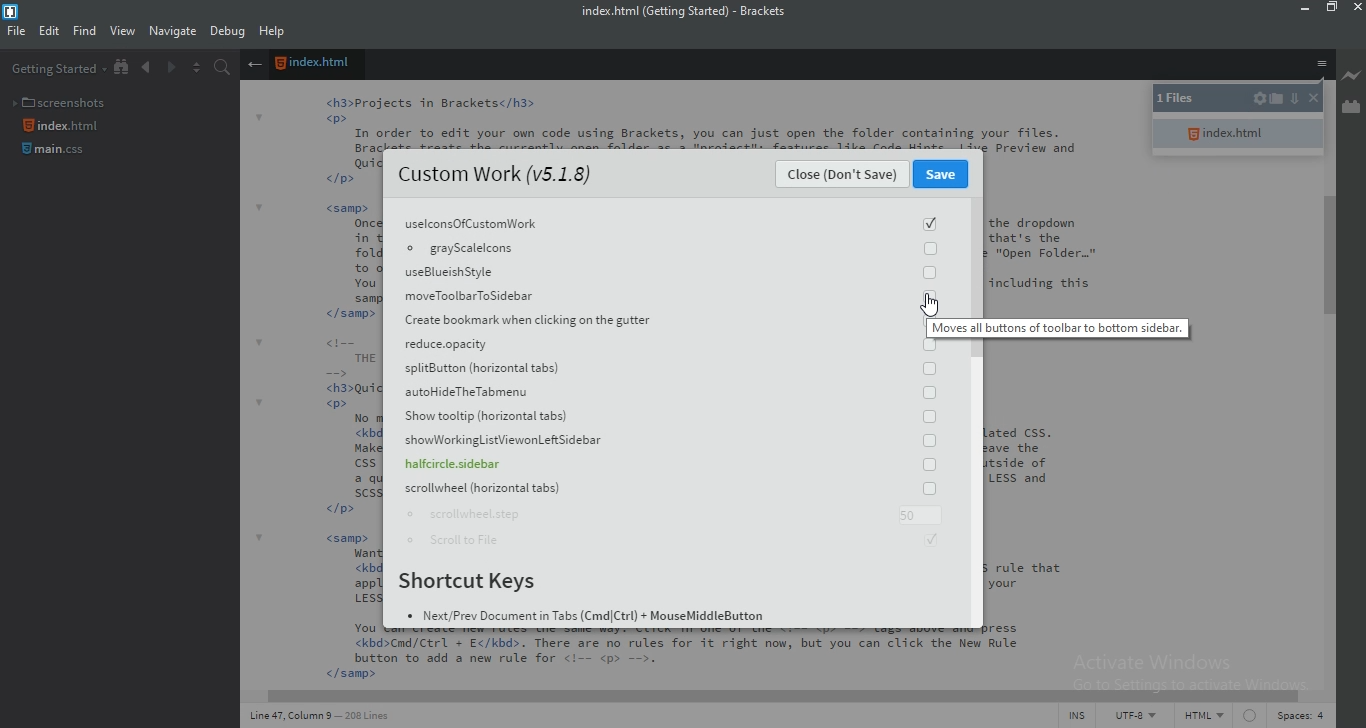  Describe the element at coordinates (1311, 100) in the screenshot. I see `close` at that location.